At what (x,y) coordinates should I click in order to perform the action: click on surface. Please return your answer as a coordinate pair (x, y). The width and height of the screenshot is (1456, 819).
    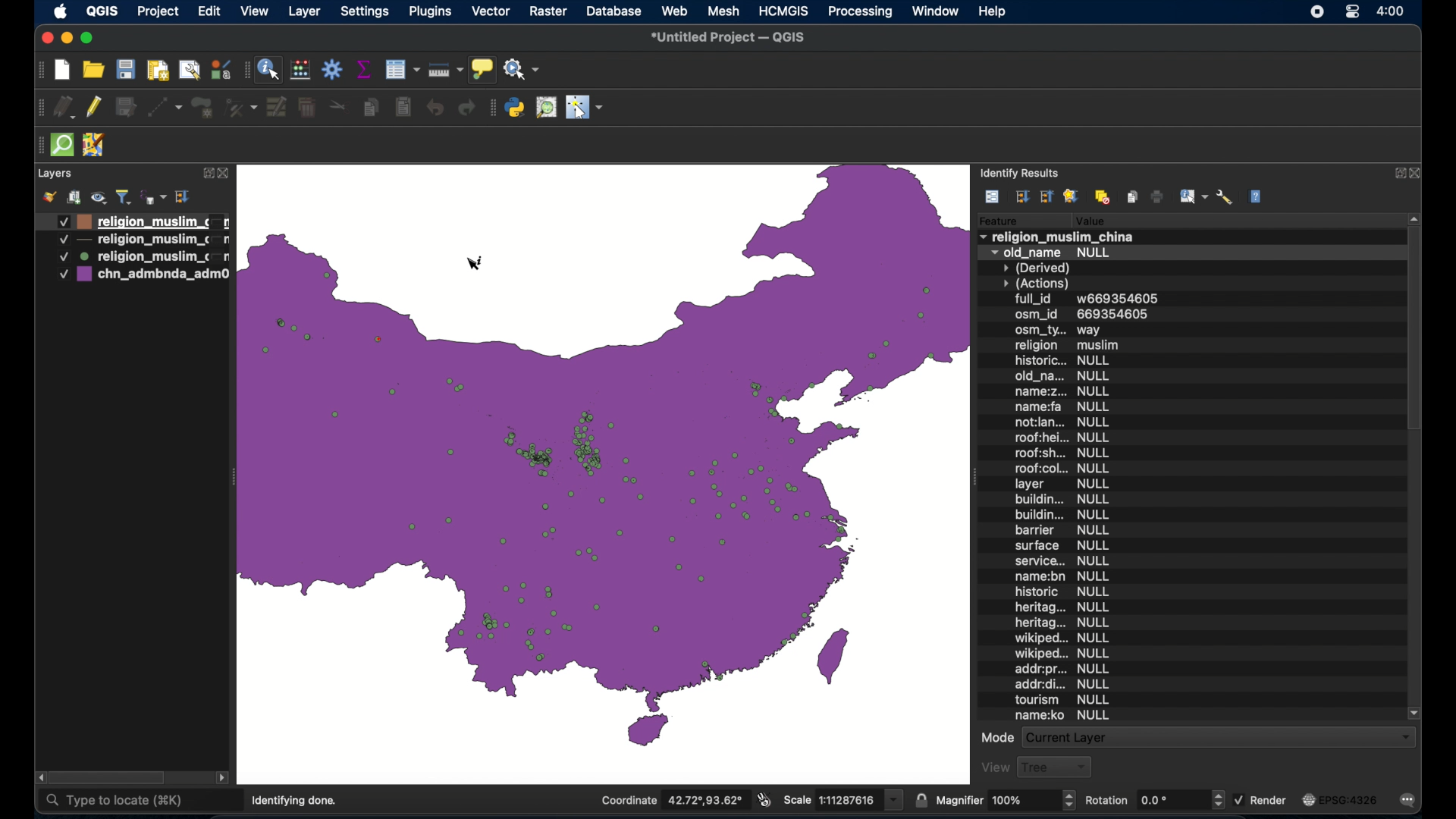
    Looking at the image, I should click on (1062, 546).